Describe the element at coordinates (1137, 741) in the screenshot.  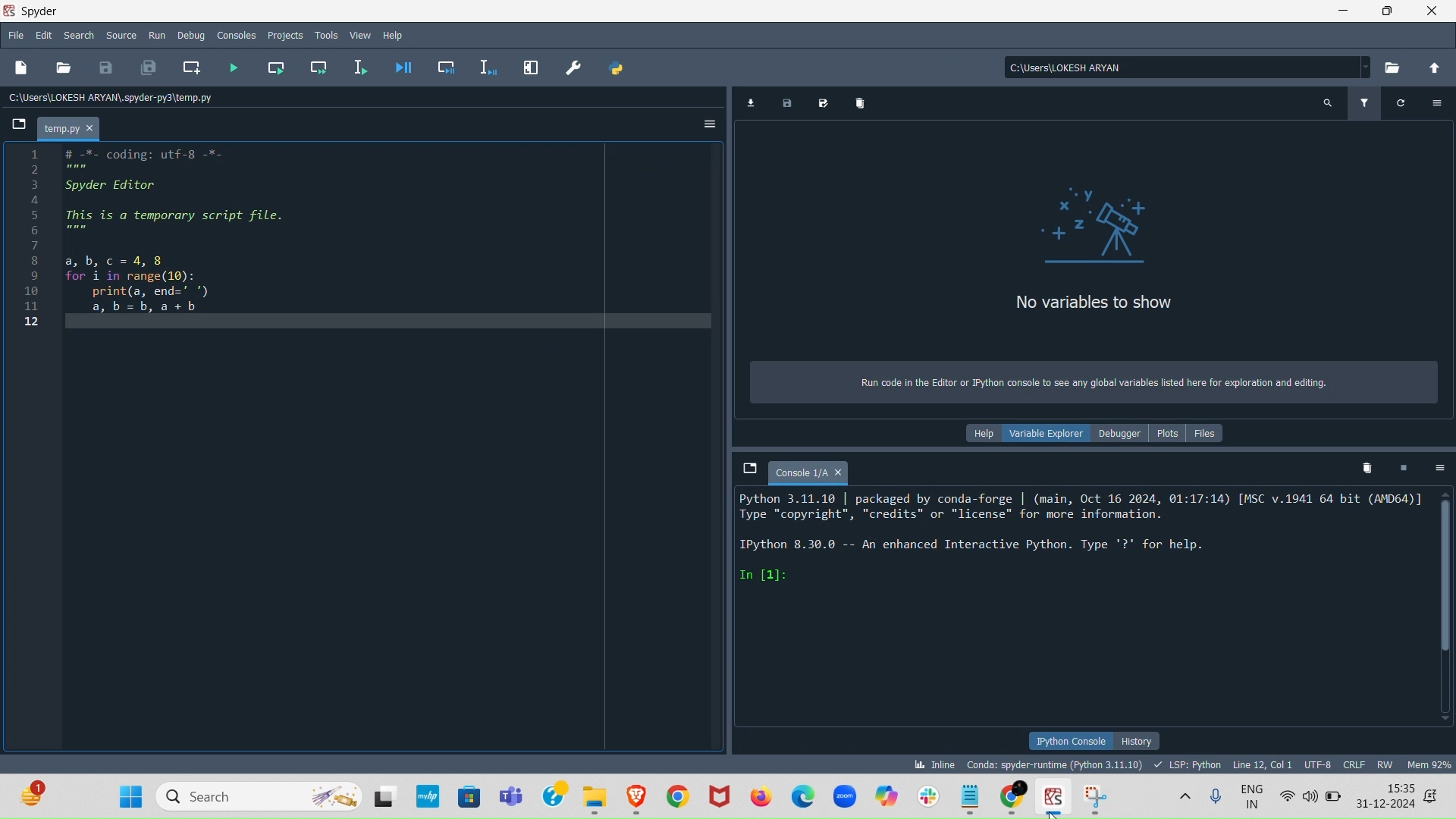
I see `History` at that location.